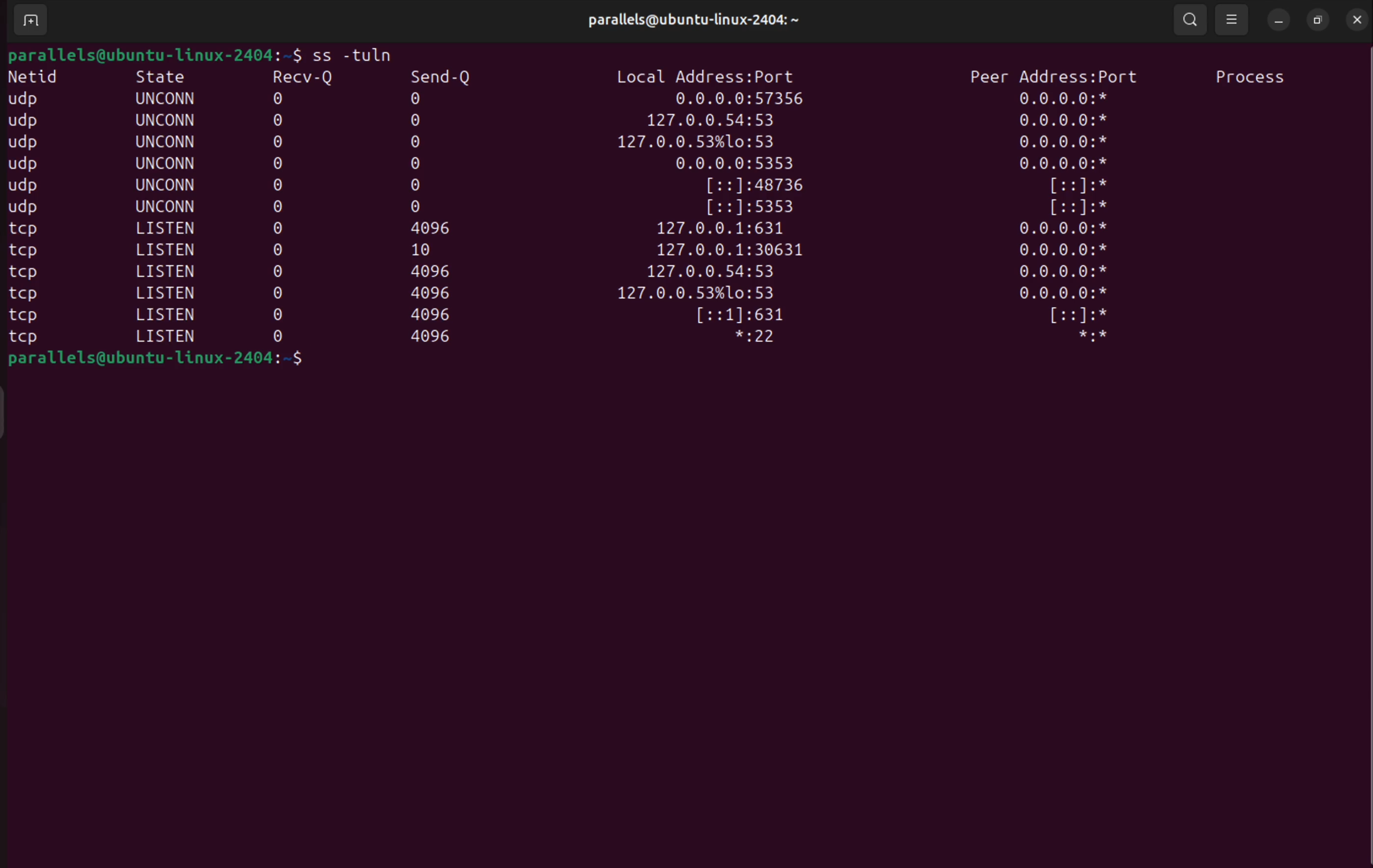  Describe the element at coordinates (283, 121) in the screenshot. I see `` at that location.